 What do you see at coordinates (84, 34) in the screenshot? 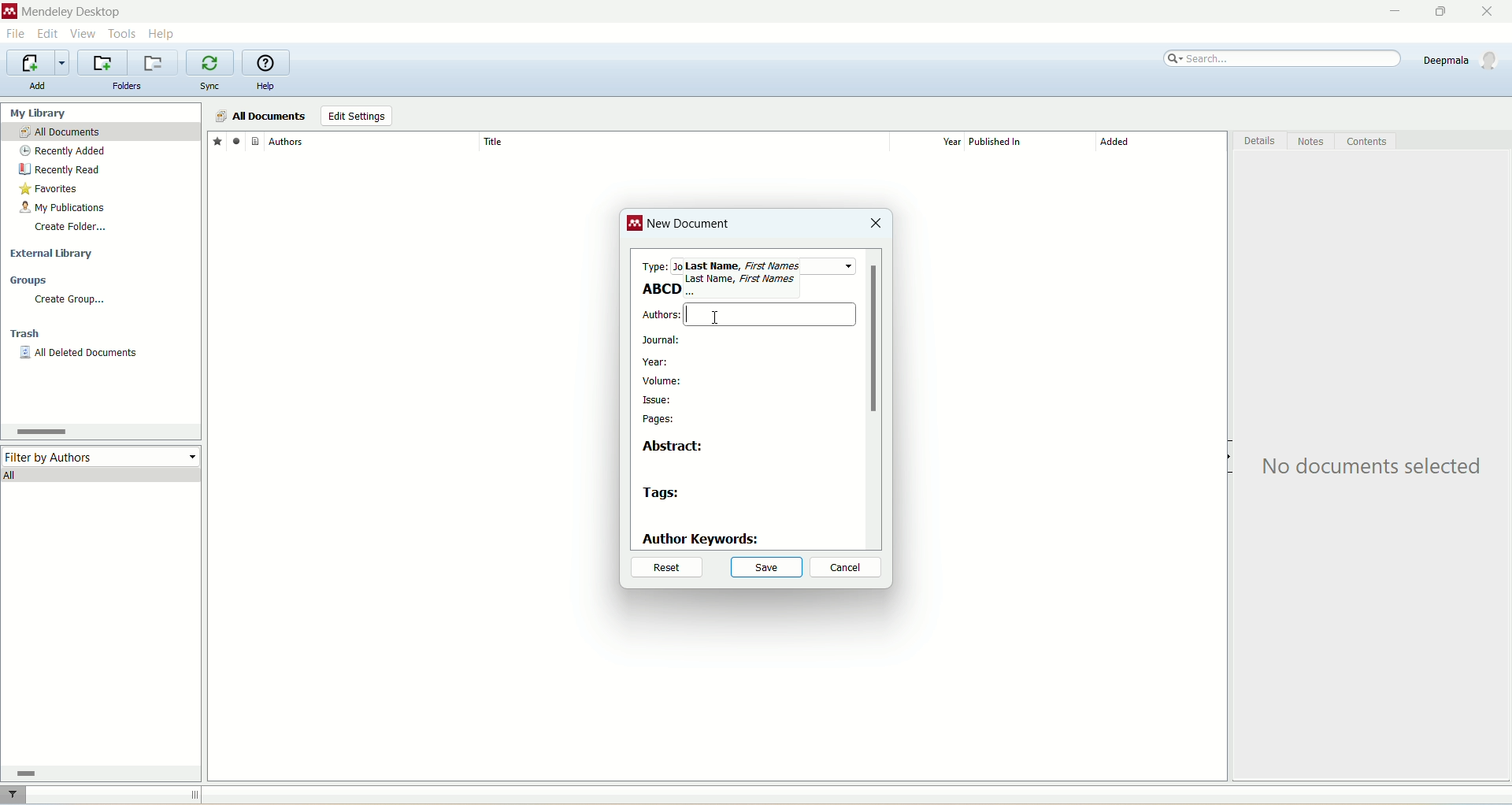
I see `view` at bounding box center [84, 34].